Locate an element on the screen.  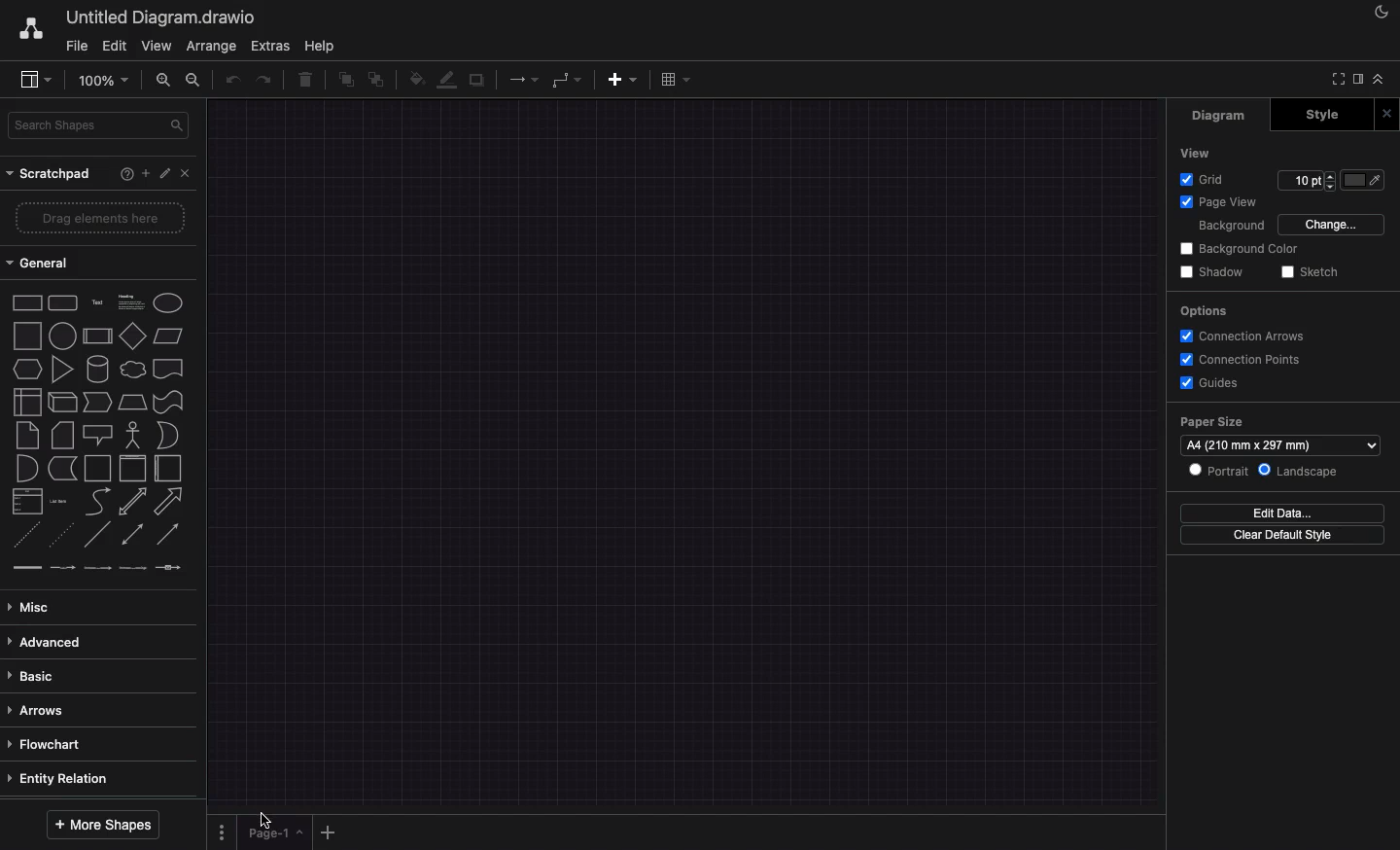
background is located at coordinates (1229, 226).